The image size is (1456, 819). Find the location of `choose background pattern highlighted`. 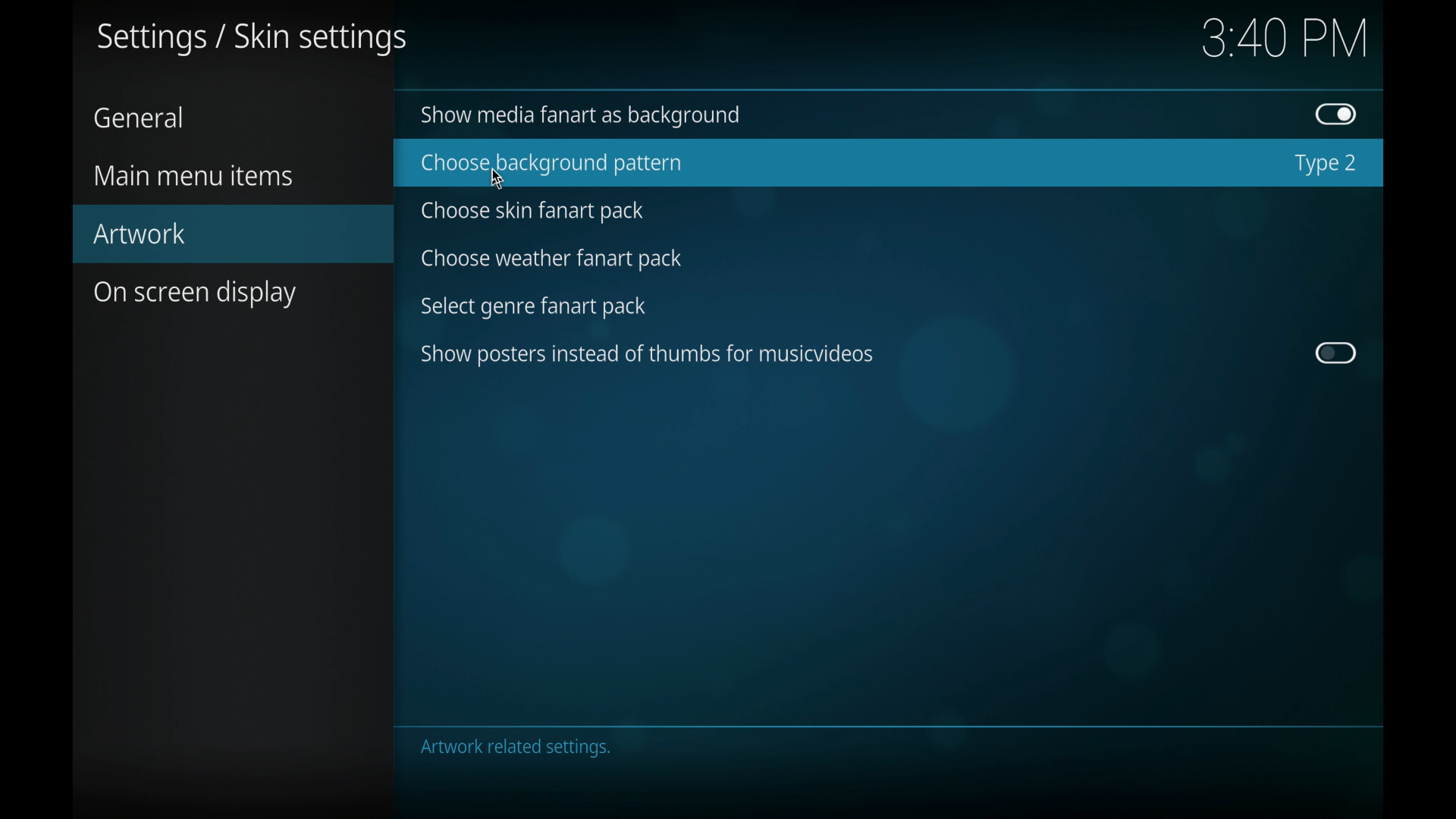

choose background pattern highlighted is located at coordinates (886, 163).